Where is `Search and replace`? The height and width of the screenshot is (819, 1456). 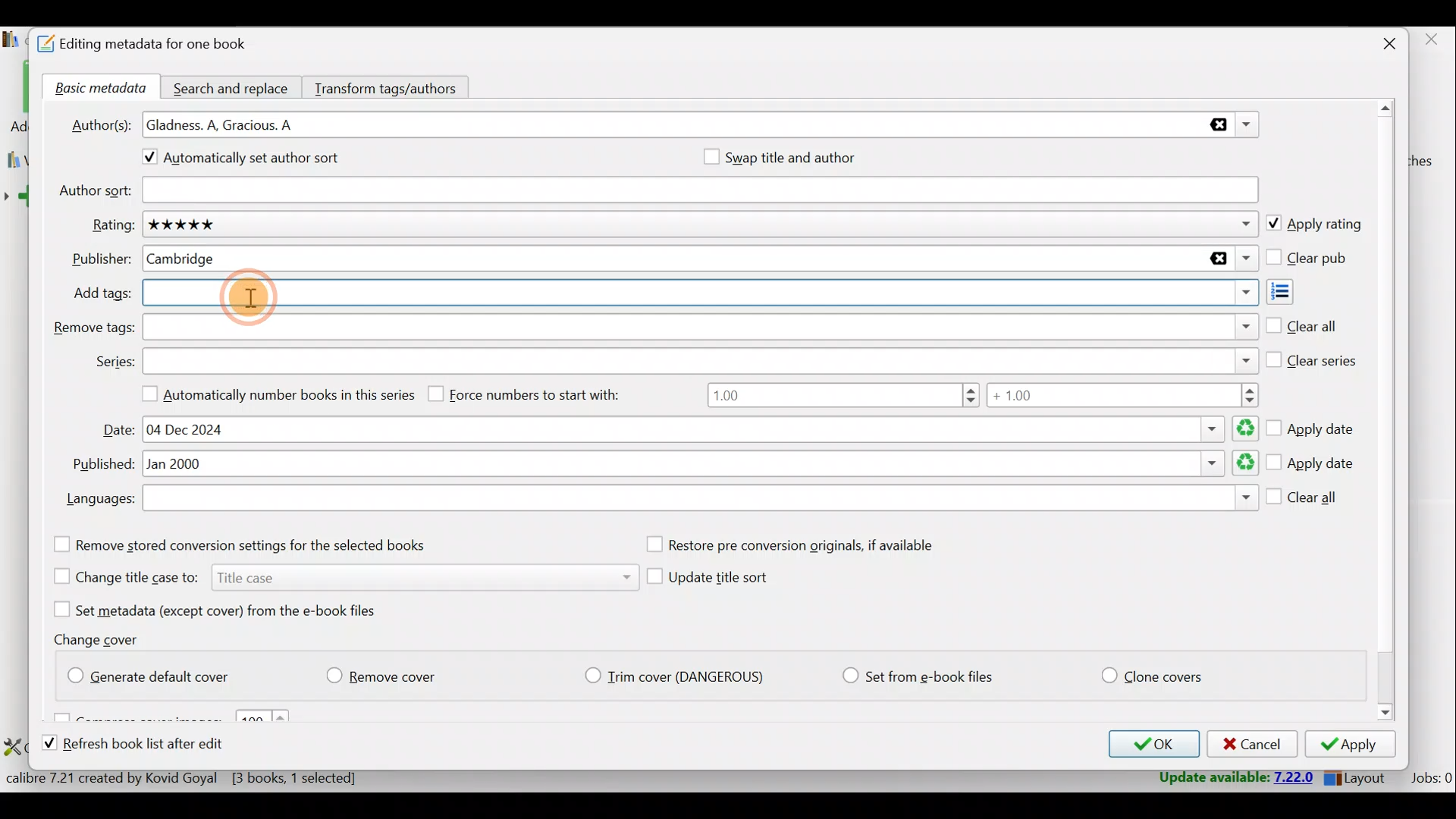
Search and replace is located at coordinates (233, 86).